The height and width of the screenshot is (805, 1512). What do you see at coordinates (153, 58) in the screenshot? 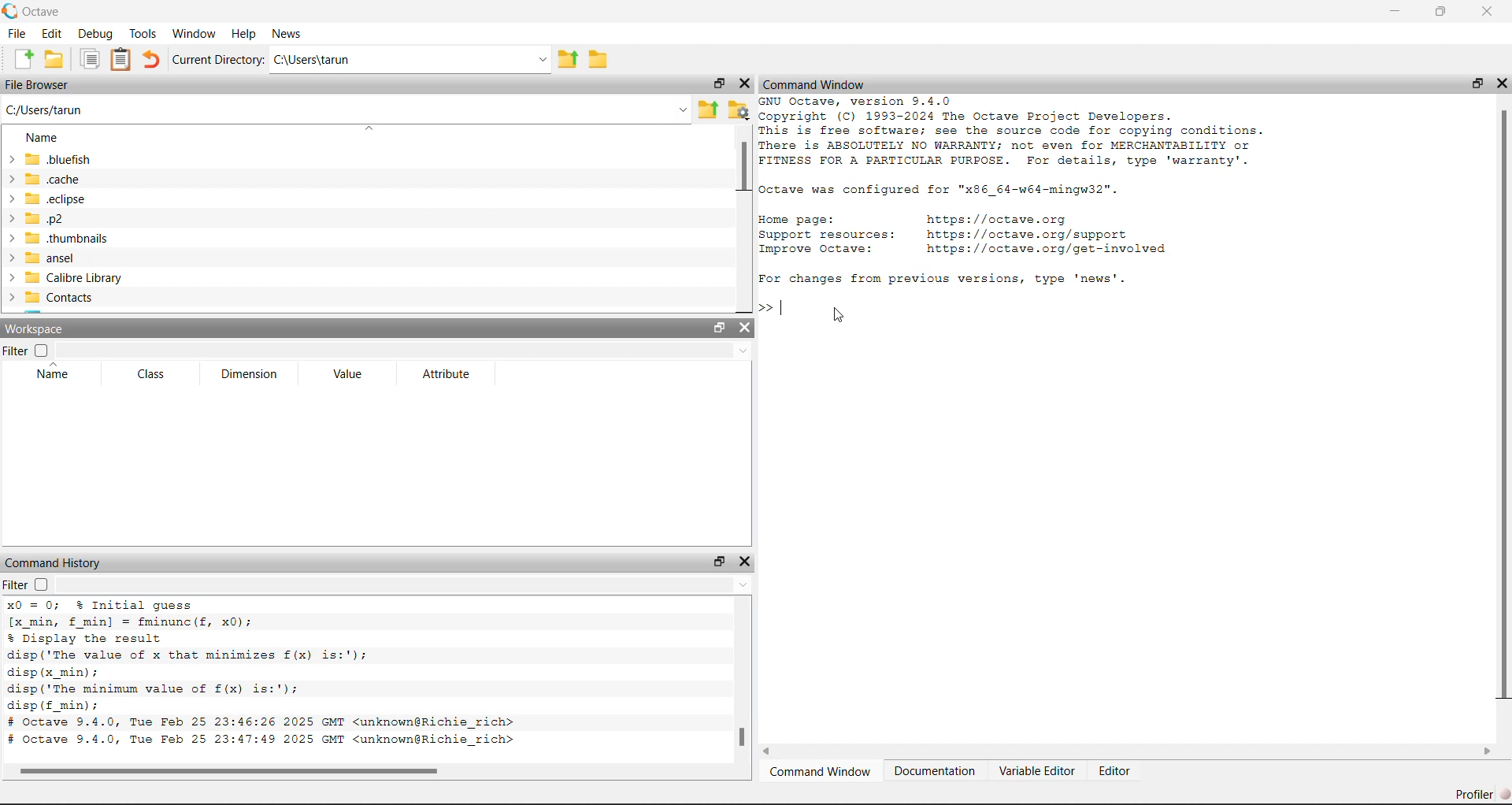
I see `Redo` at bounding box center [153, 58].